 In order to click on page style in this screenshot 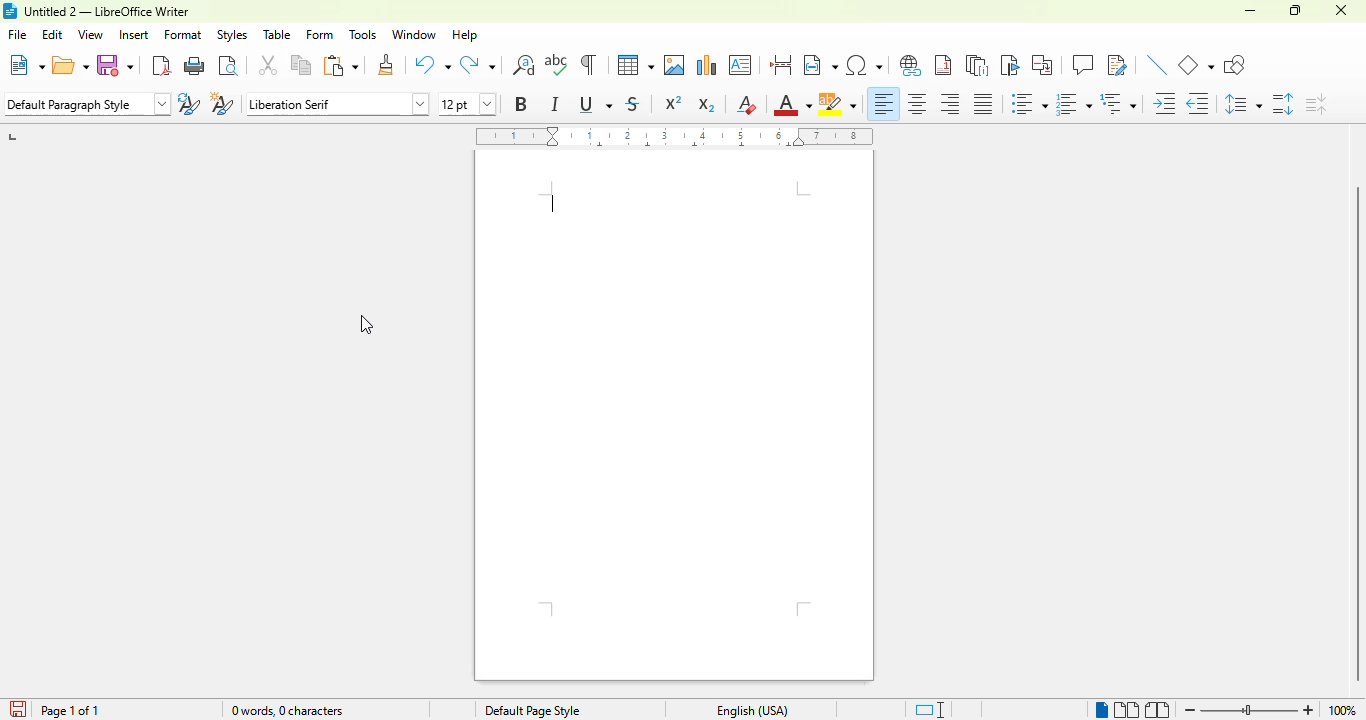, I will do `click(531, 710)`.